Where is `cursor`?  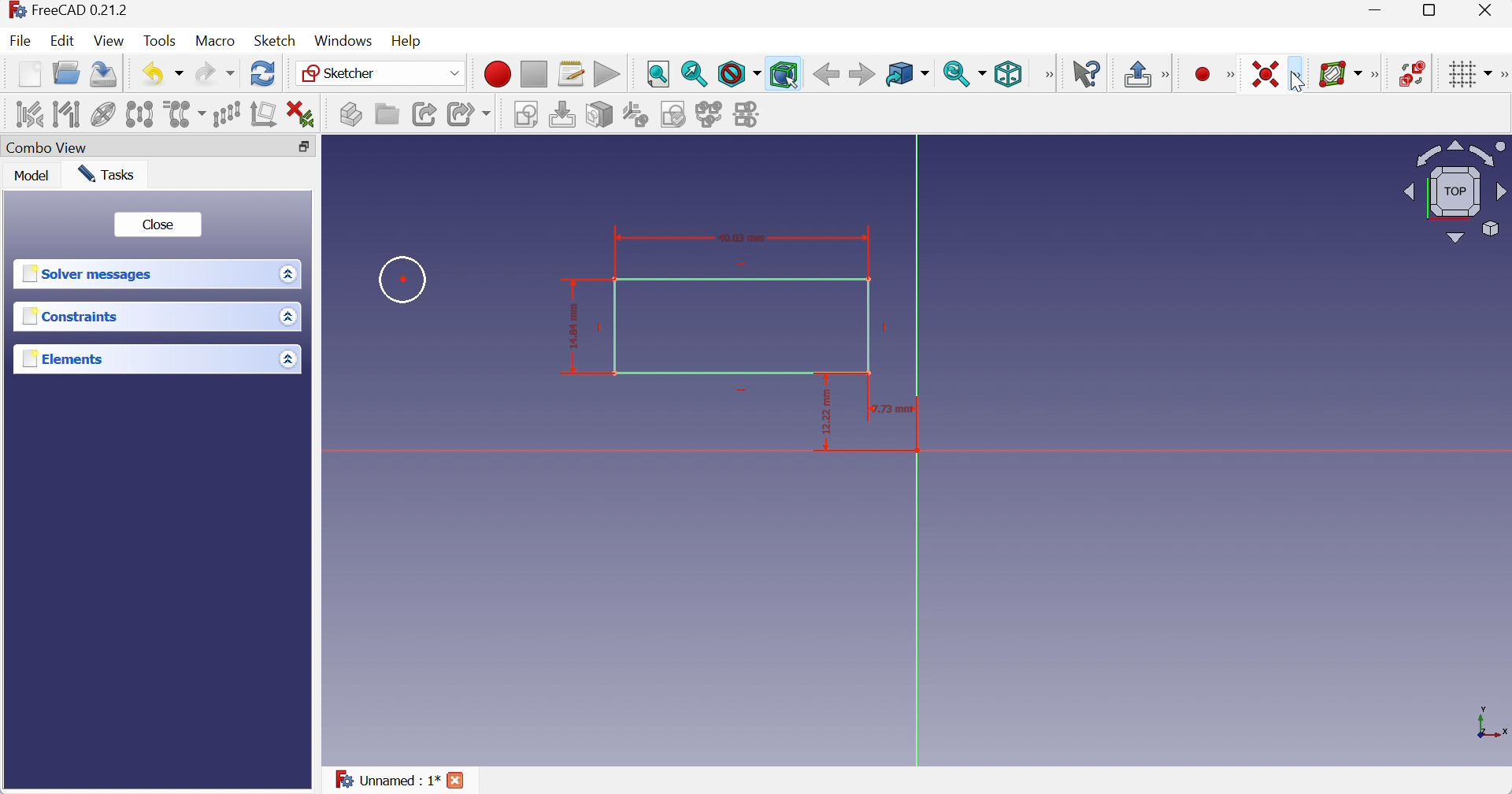
cursor is located at coordinates (1295, 85).